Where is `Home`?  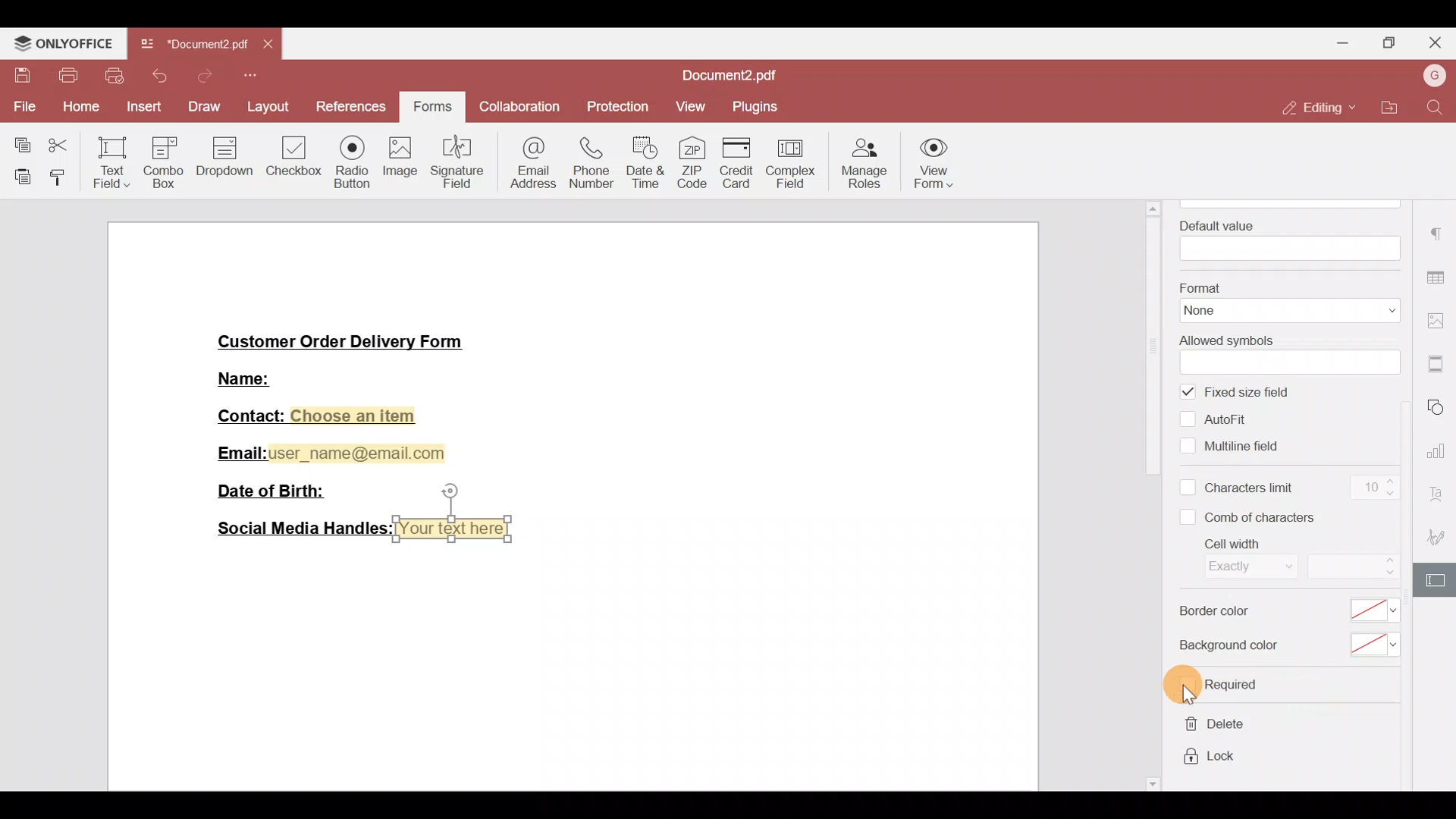 Home is located at coordinates (79, 108).